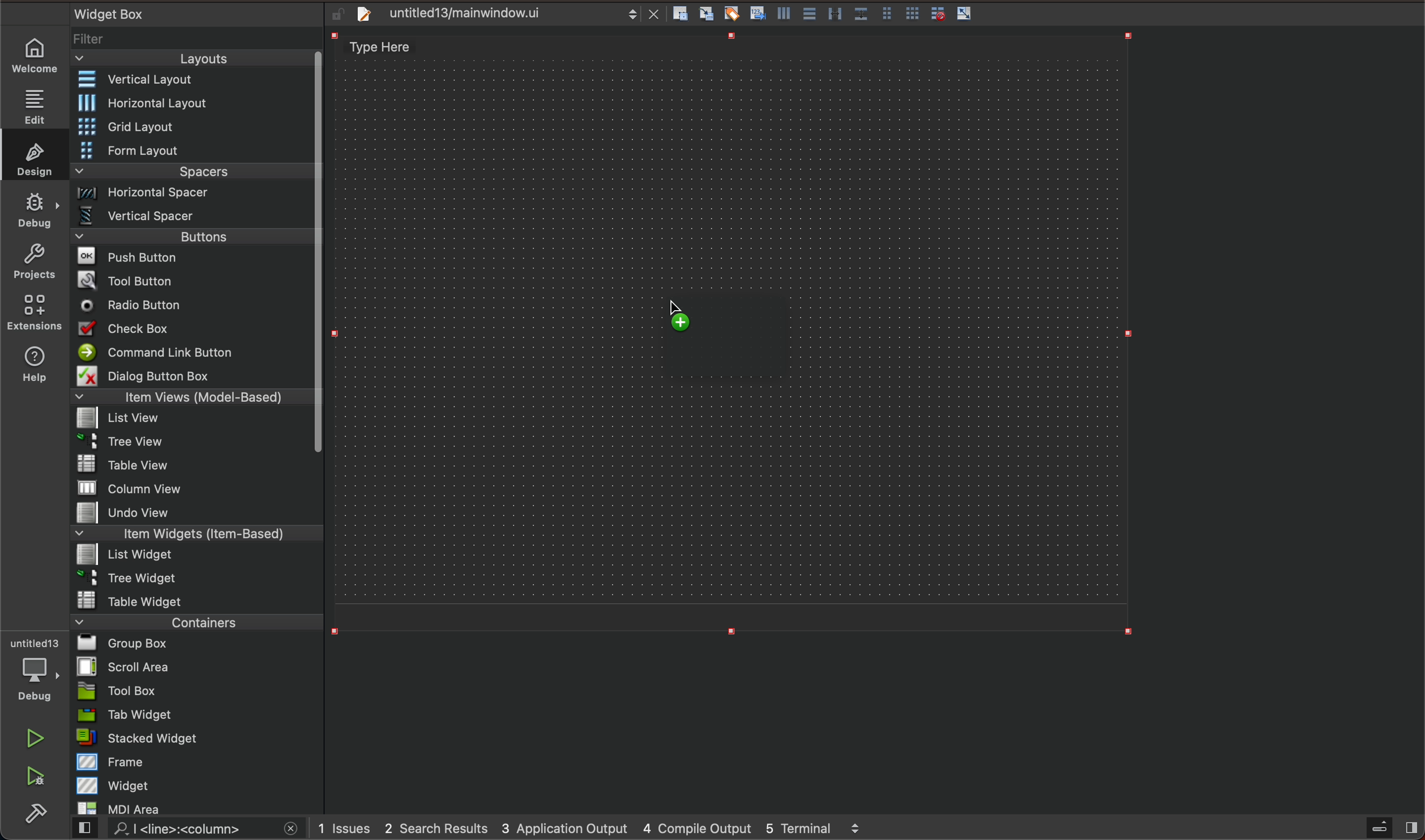 This screenshot has width=1425, height=840. I want to click on checkbox, so click(195, 329).